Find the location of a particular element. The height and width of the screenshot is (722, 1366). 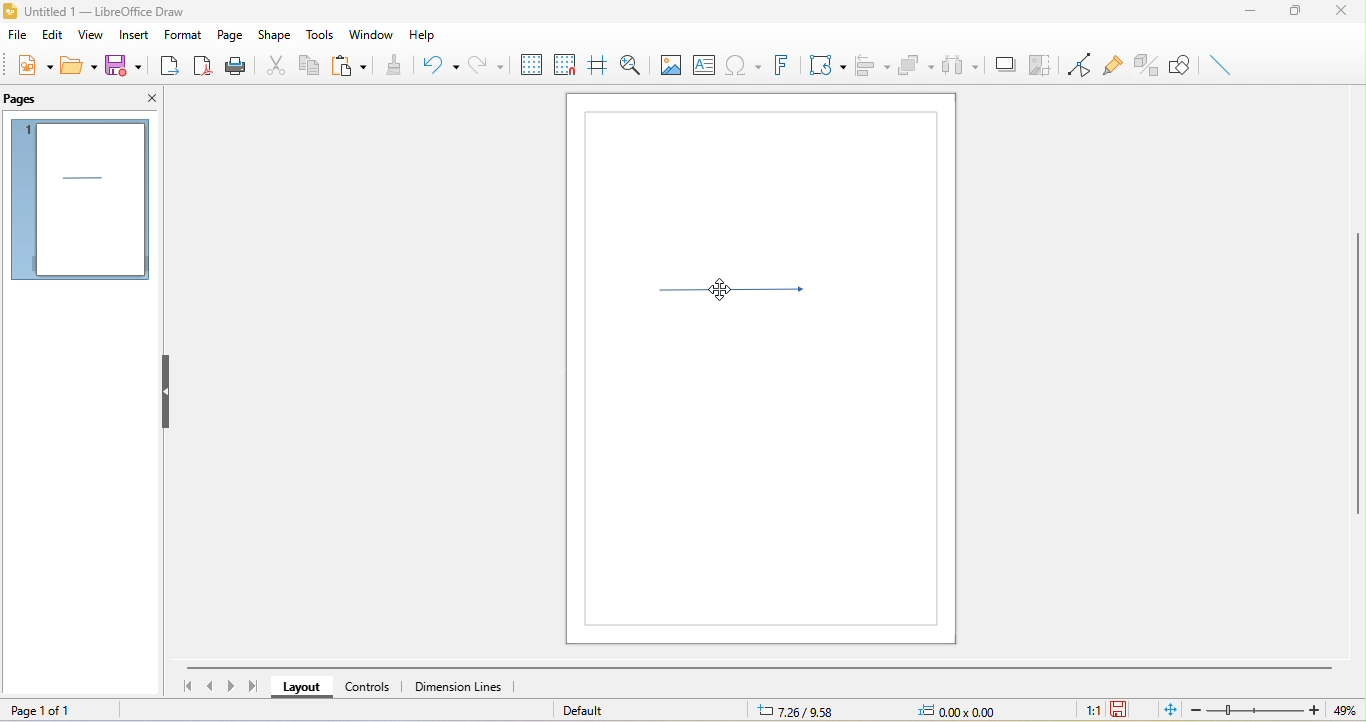

show draw function is located at coordinates (1181, 66).